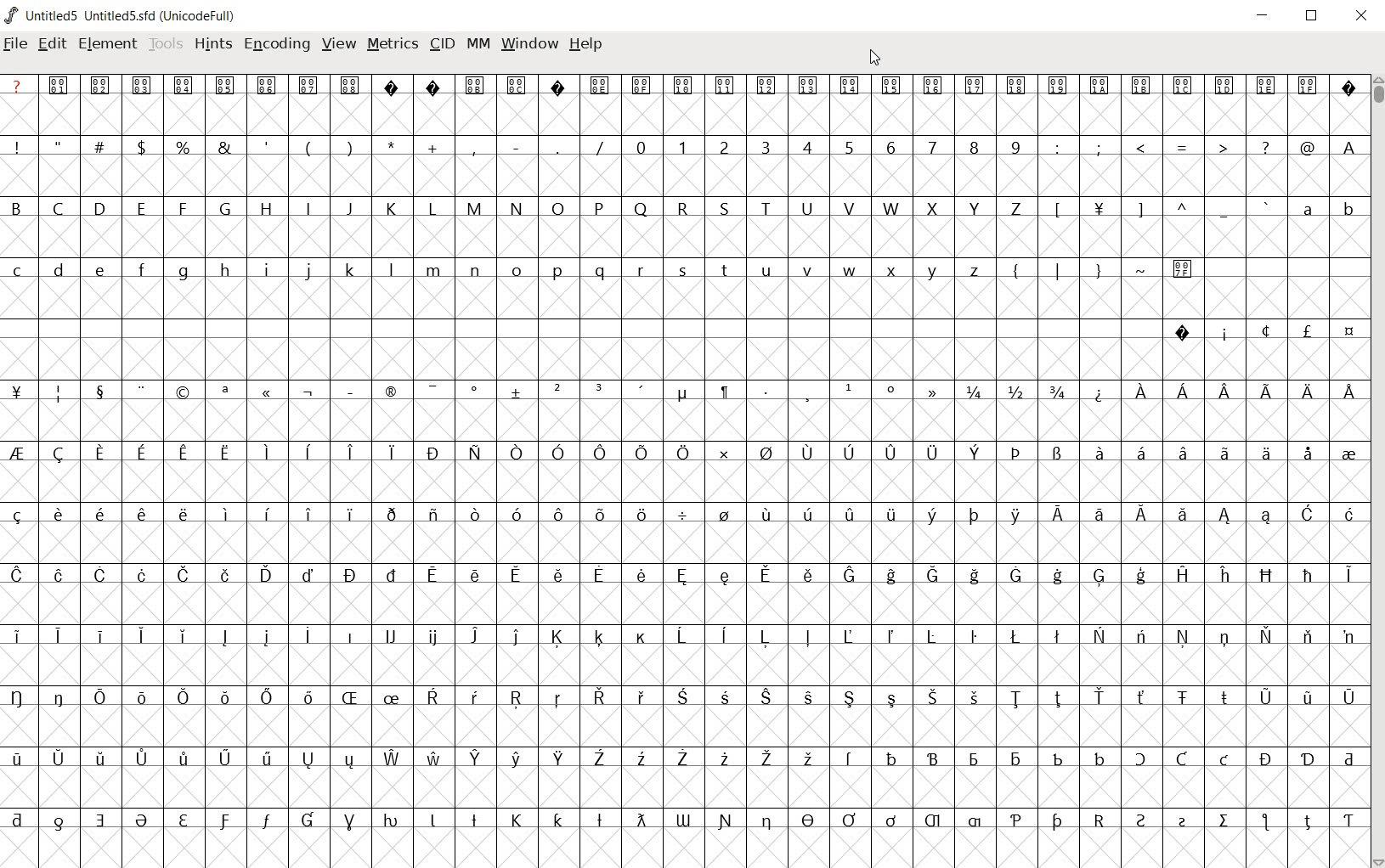  Describe the element at coordinates (473, 576) in the screenshot. I see `Symbol` at that location.